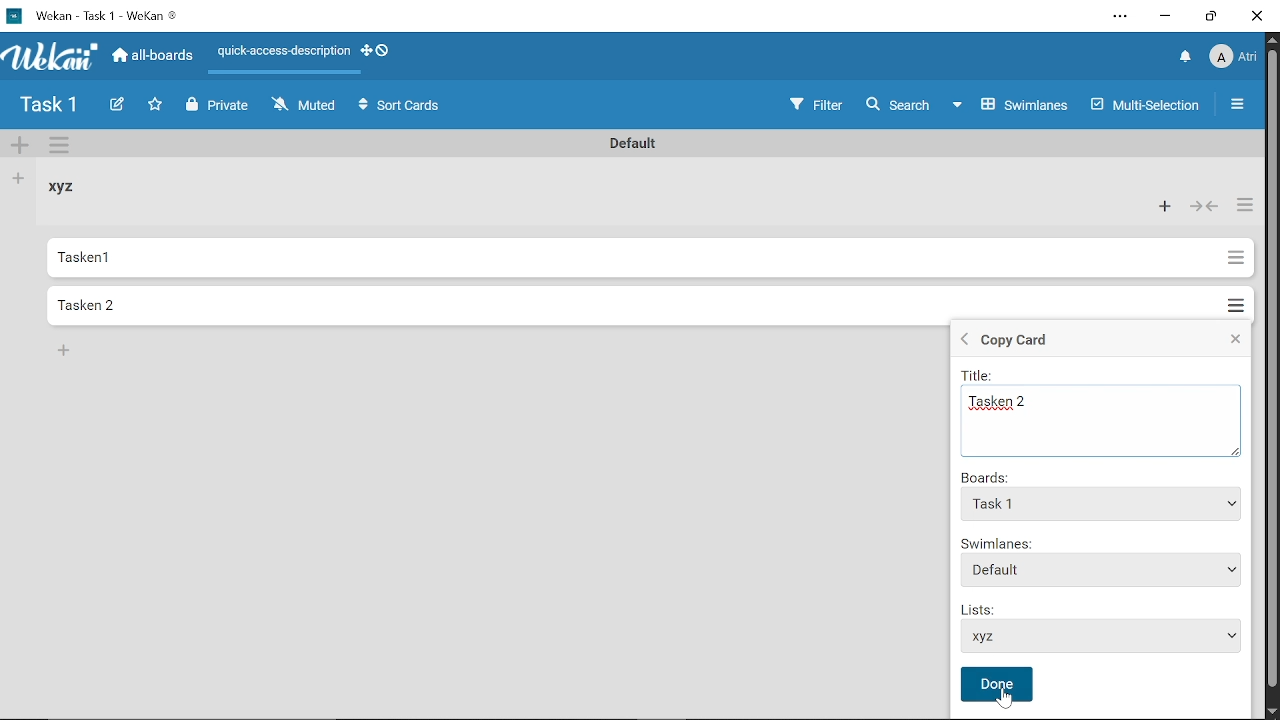  Describe the element at coordinates (68, 188) in the screenshot. I see `List titled "xyz"` at that location.